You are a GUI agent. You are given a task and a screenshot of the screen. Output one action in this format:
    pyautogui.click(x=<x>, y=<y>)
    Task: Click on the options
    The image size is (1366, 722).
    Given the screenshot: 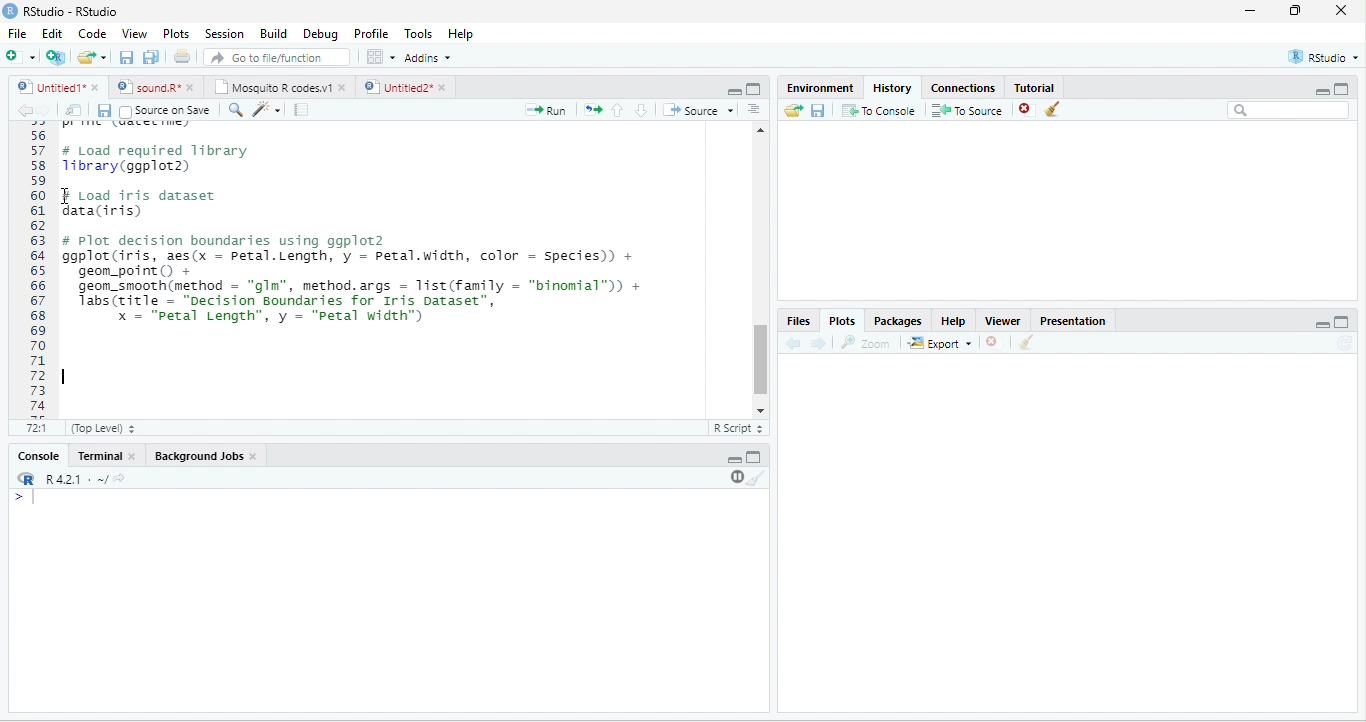 What is the action you would take?
    pyautogui.click(x=381, y=57)
    